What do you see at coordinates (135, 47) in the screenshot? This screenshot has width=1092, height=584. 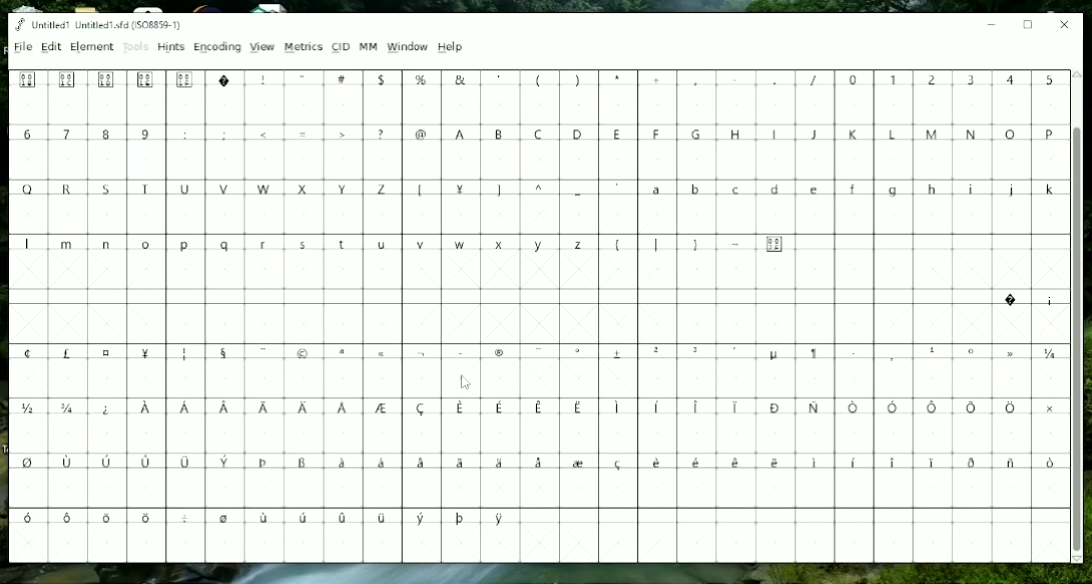 I see `Tools` at bounding box center [135, 47].